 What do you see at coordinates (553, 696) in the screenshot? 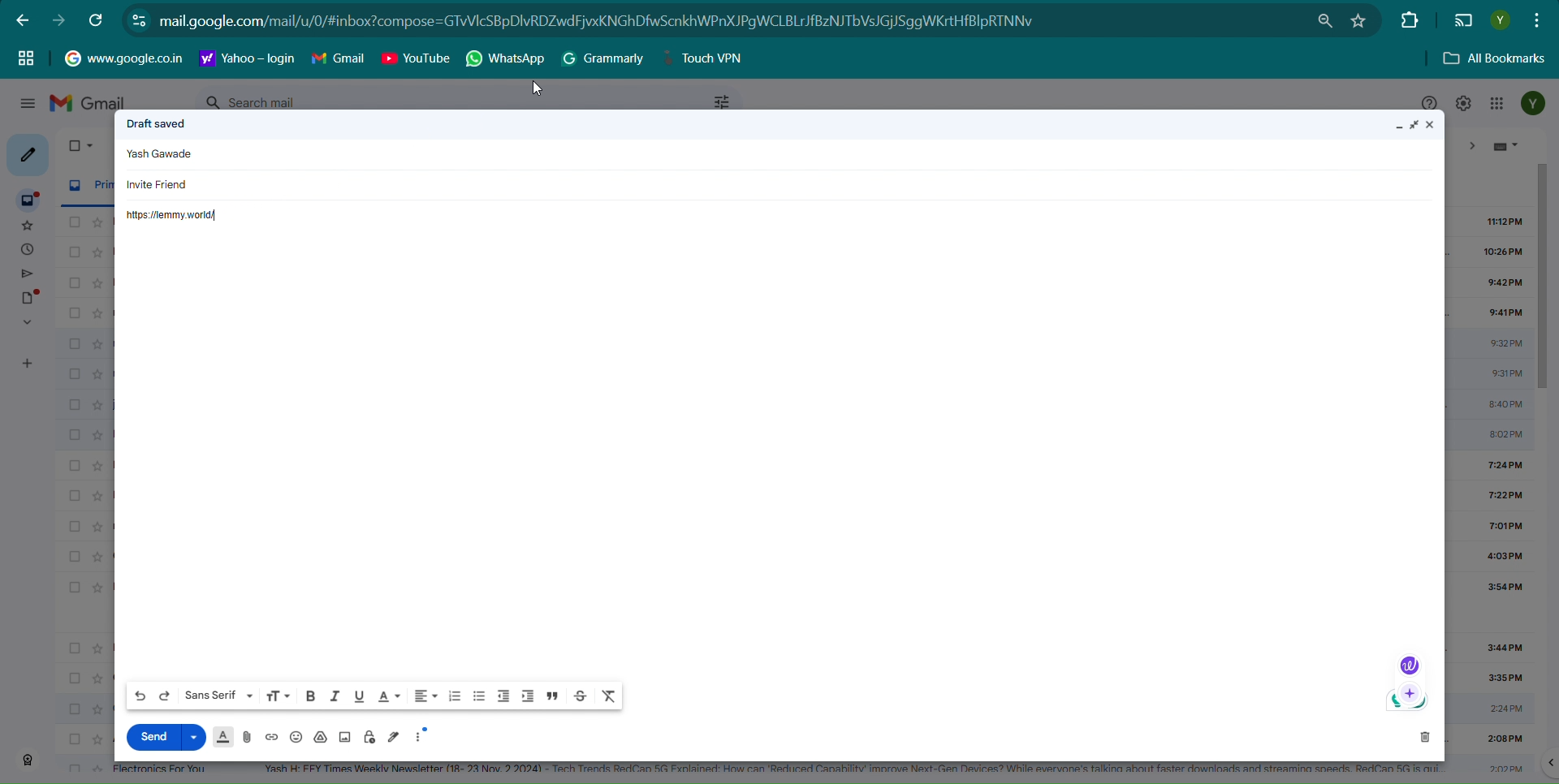
I see `Quote` at bounding box center [553, 696].